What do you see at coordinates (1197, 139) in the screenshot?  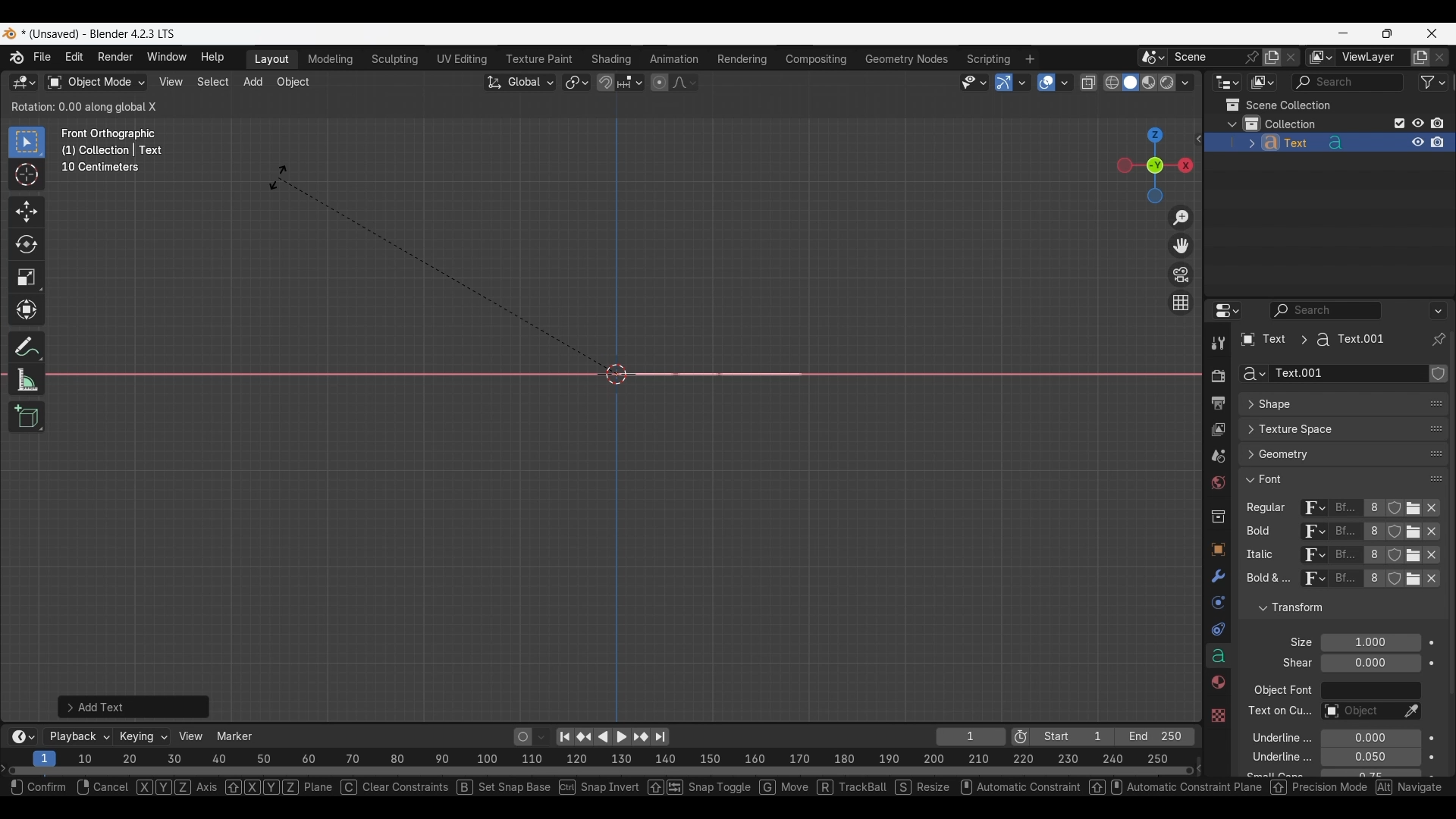 I see `Click to see more edit options` at bounding box center [1197, 139].